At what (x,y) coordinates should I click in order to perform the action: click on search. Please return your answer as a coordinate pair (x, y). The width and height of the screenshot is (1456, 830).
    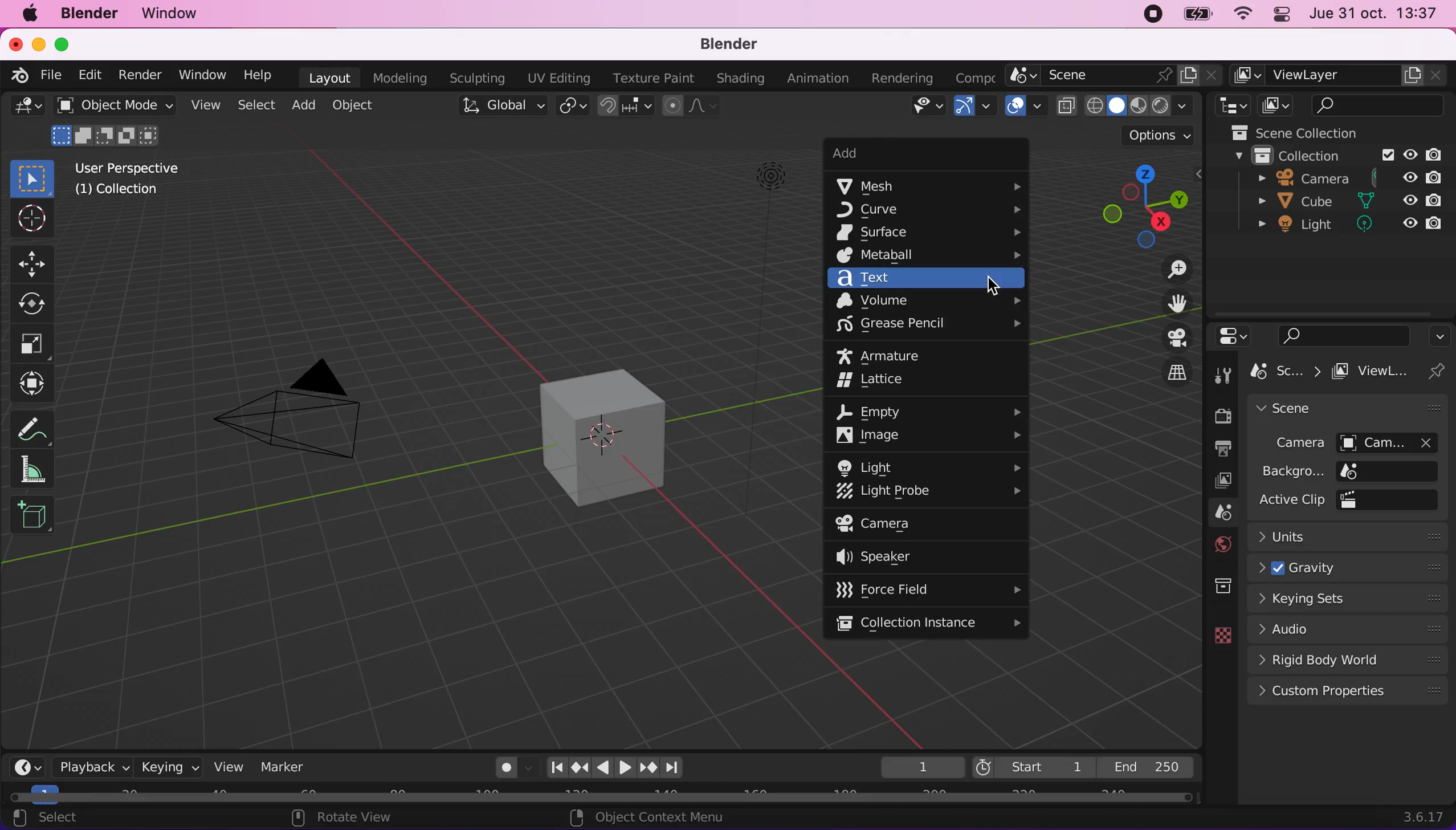
    Looking at the image, I should click on (1381, 105).